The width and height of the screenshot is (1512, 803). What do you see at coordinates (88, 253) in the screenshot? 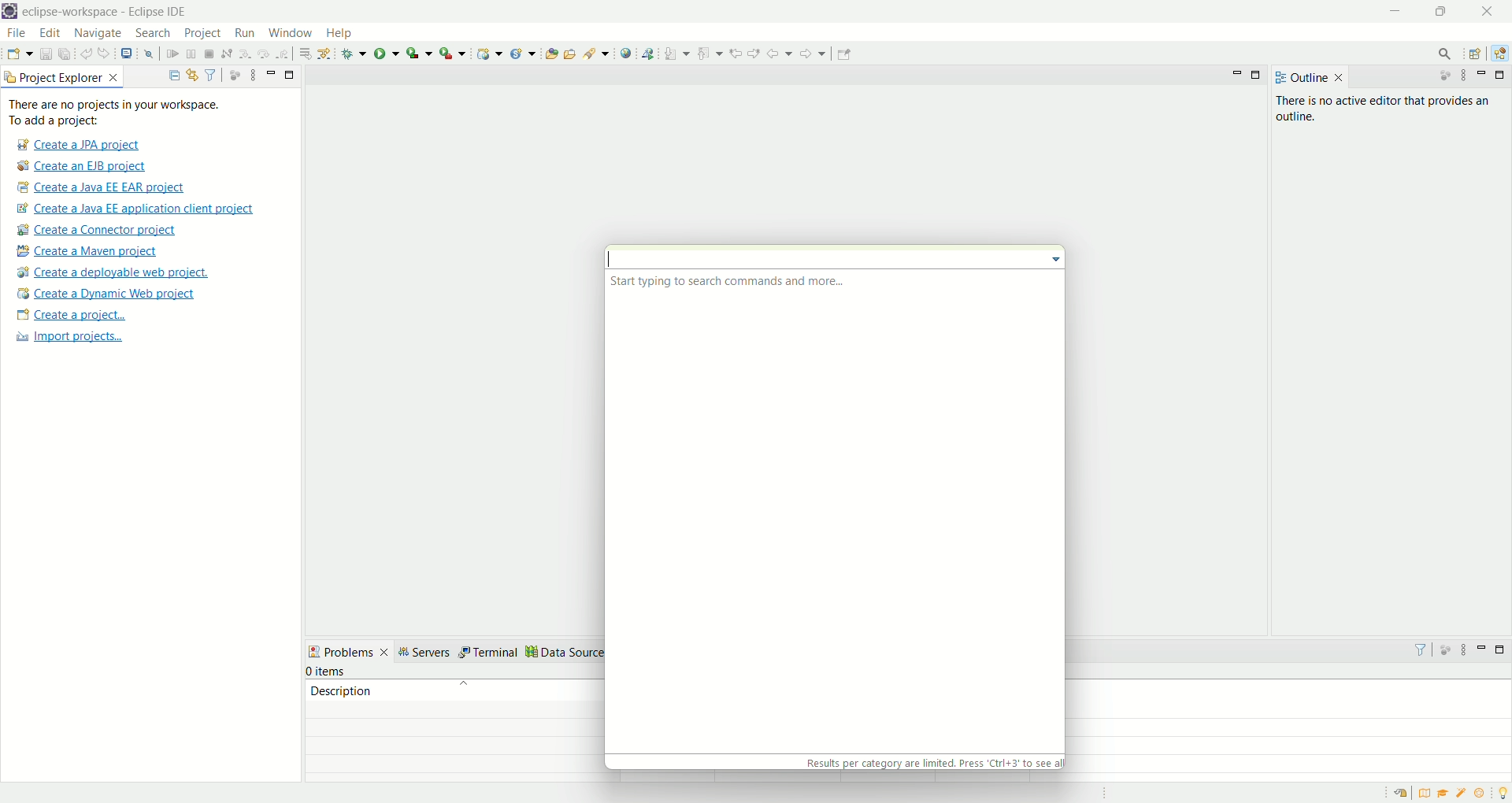
I see `create a maven project` at bounding box center [88, 253].